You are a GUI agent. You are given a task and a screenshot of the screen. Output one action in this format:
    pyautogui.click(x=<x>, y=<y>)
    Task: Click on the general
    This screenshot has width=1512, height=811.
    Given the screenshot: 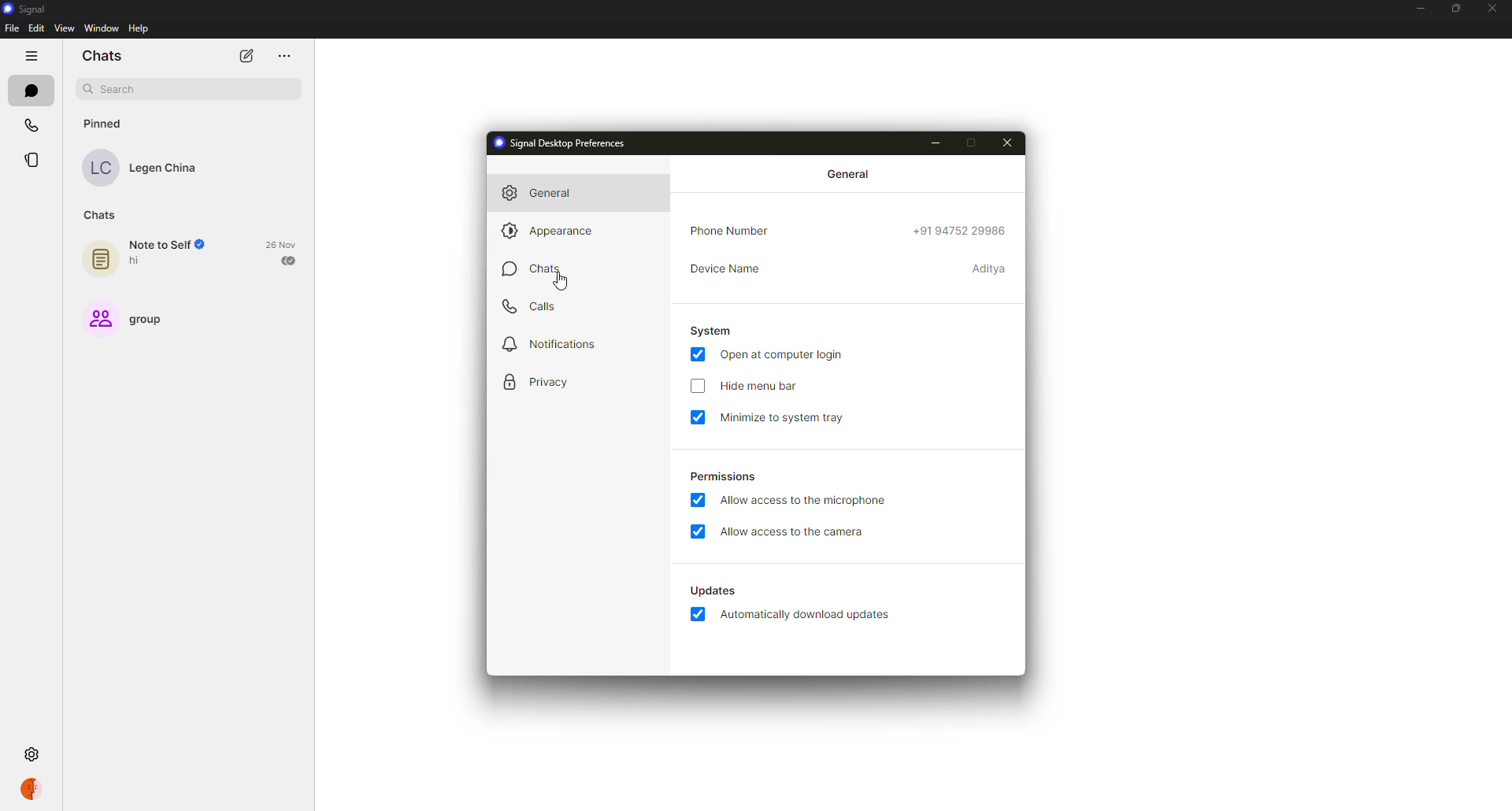 What is the action you would take?
    pyautogui.click(x=542, y=192)
    